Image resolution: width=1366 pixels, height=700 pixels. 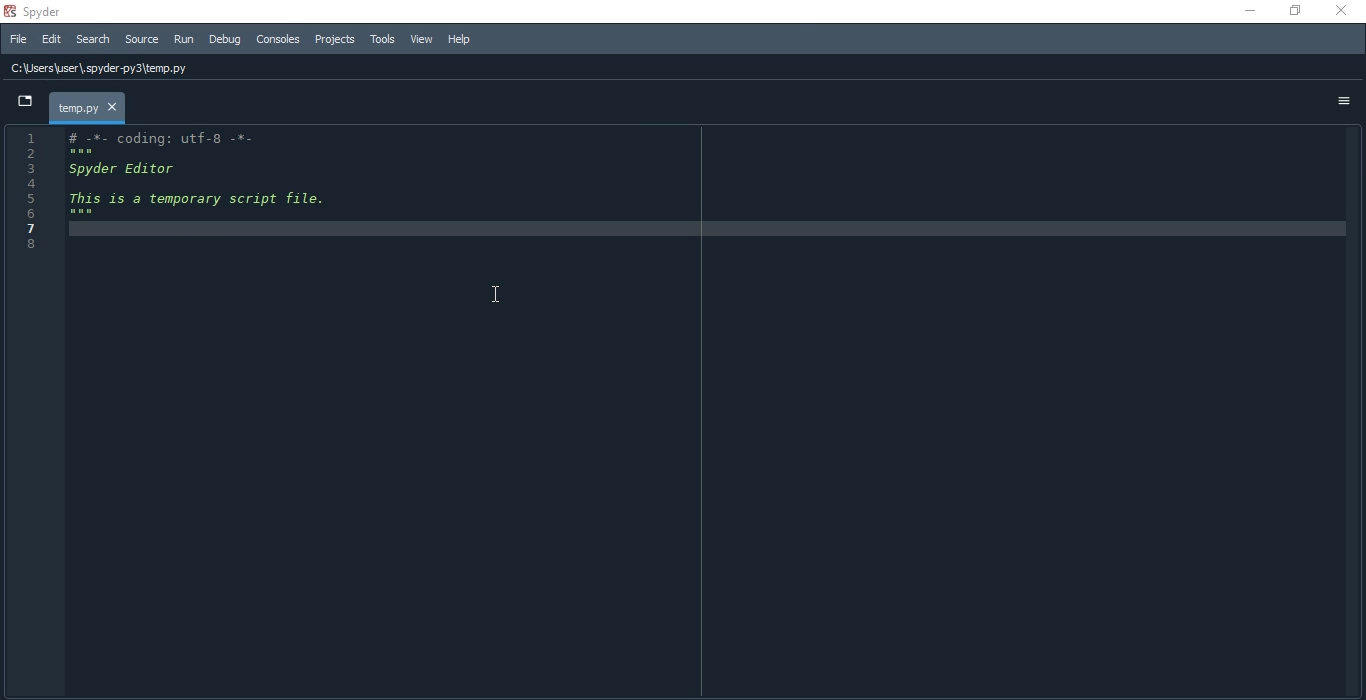 What do you see at coordinates (107, 71) in the screenshot?
I see `C:\Users\user\, spyder py3\temp.py` at bounding box center [107, 71].